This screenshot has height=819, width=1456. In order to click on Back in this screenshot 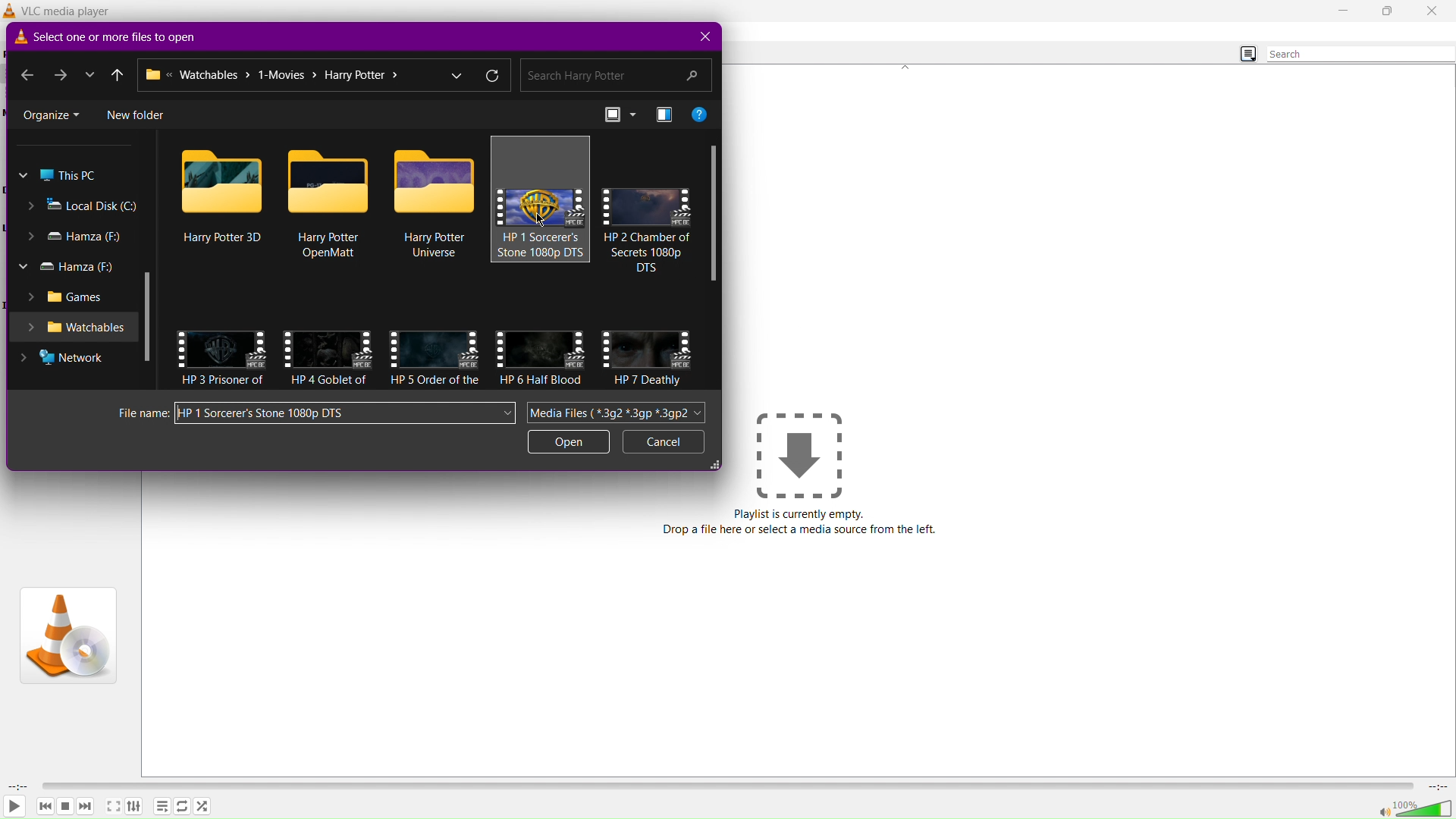, I will do `click(27, 74)`.